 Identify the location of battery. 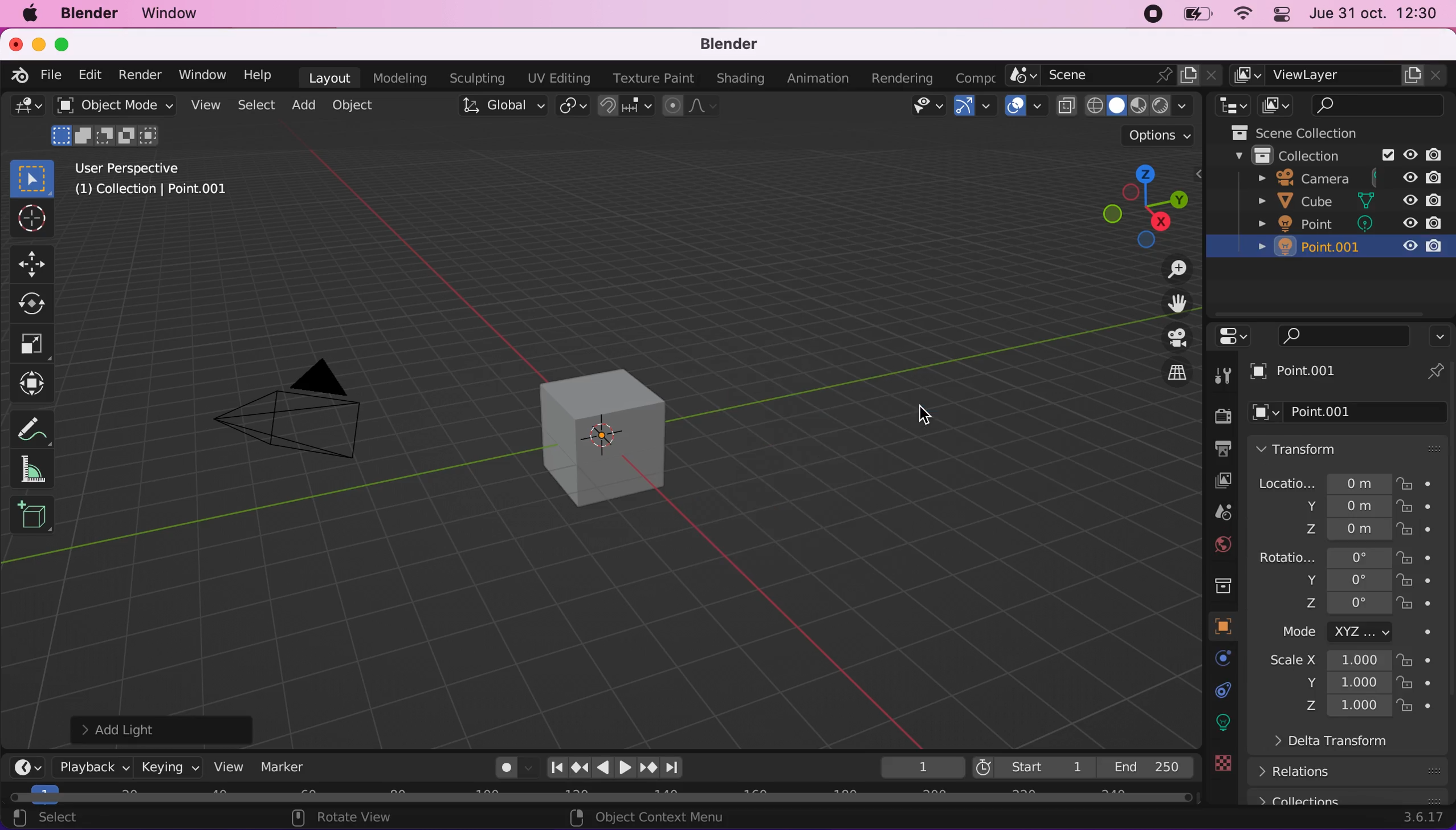
(1198, 14).